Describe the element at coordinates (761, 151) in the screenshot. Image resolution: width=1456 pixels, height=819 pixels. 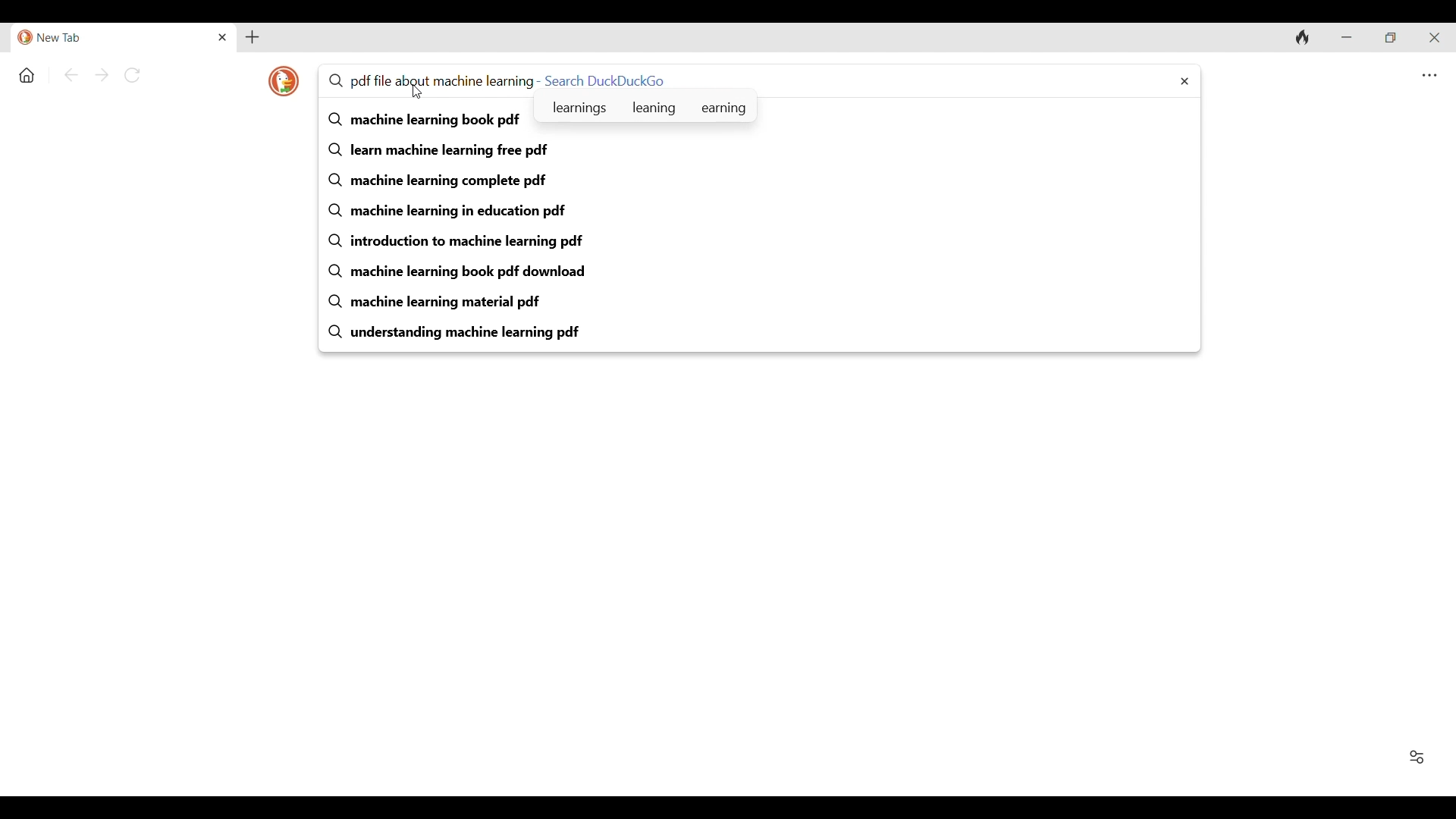
I see `learn machine learning free pdf` at that location.